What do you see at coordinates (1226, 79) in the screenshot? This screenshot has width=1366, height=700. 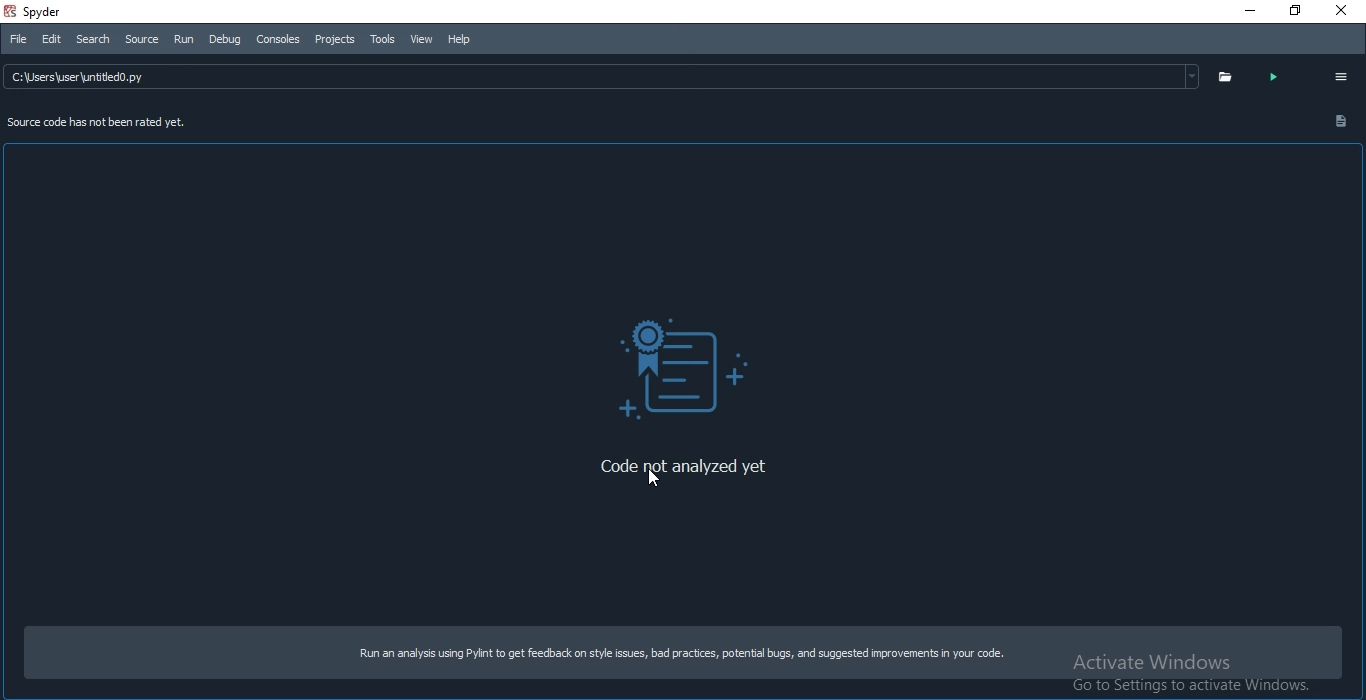 I see `folder` at bounding box center [1226, 79].